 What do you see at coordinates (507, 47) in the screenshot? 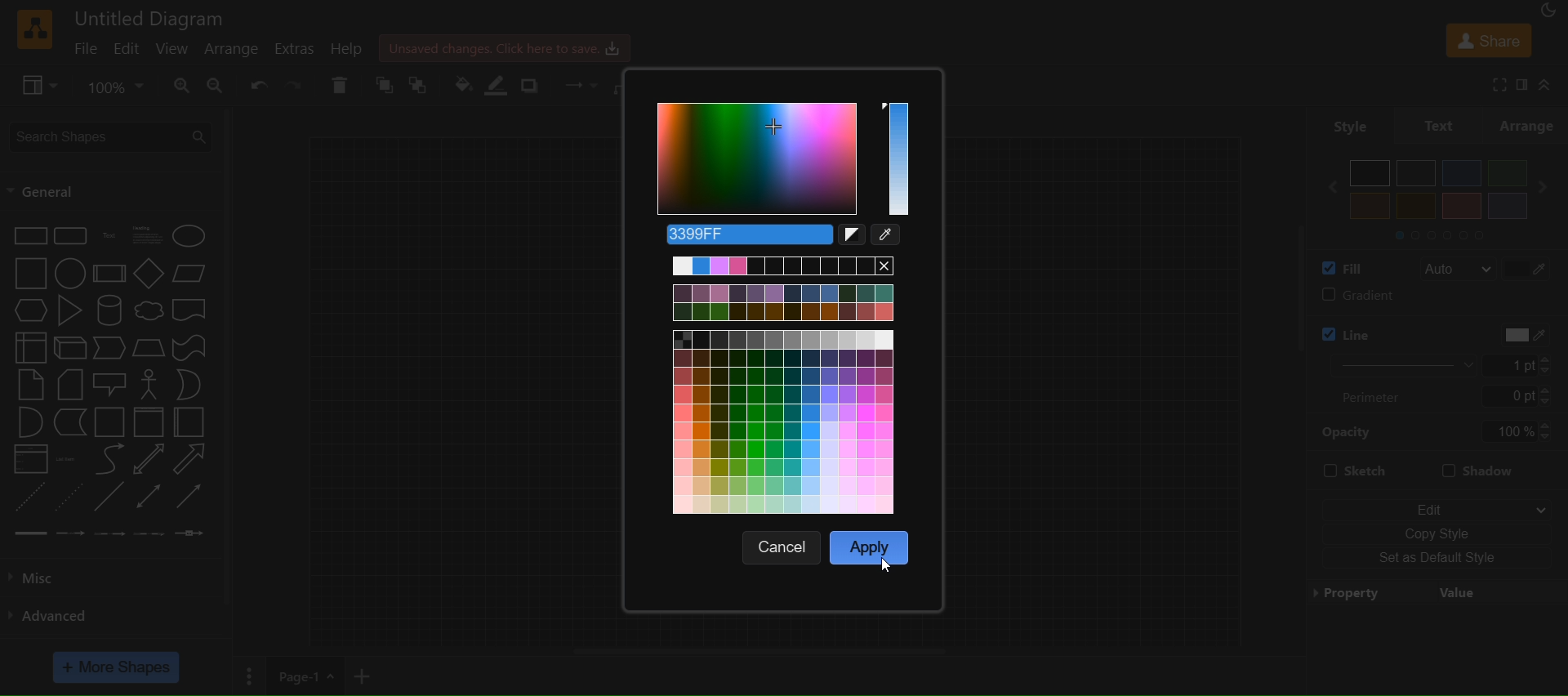
I see `click here to save` at bounding box center [507, 47].